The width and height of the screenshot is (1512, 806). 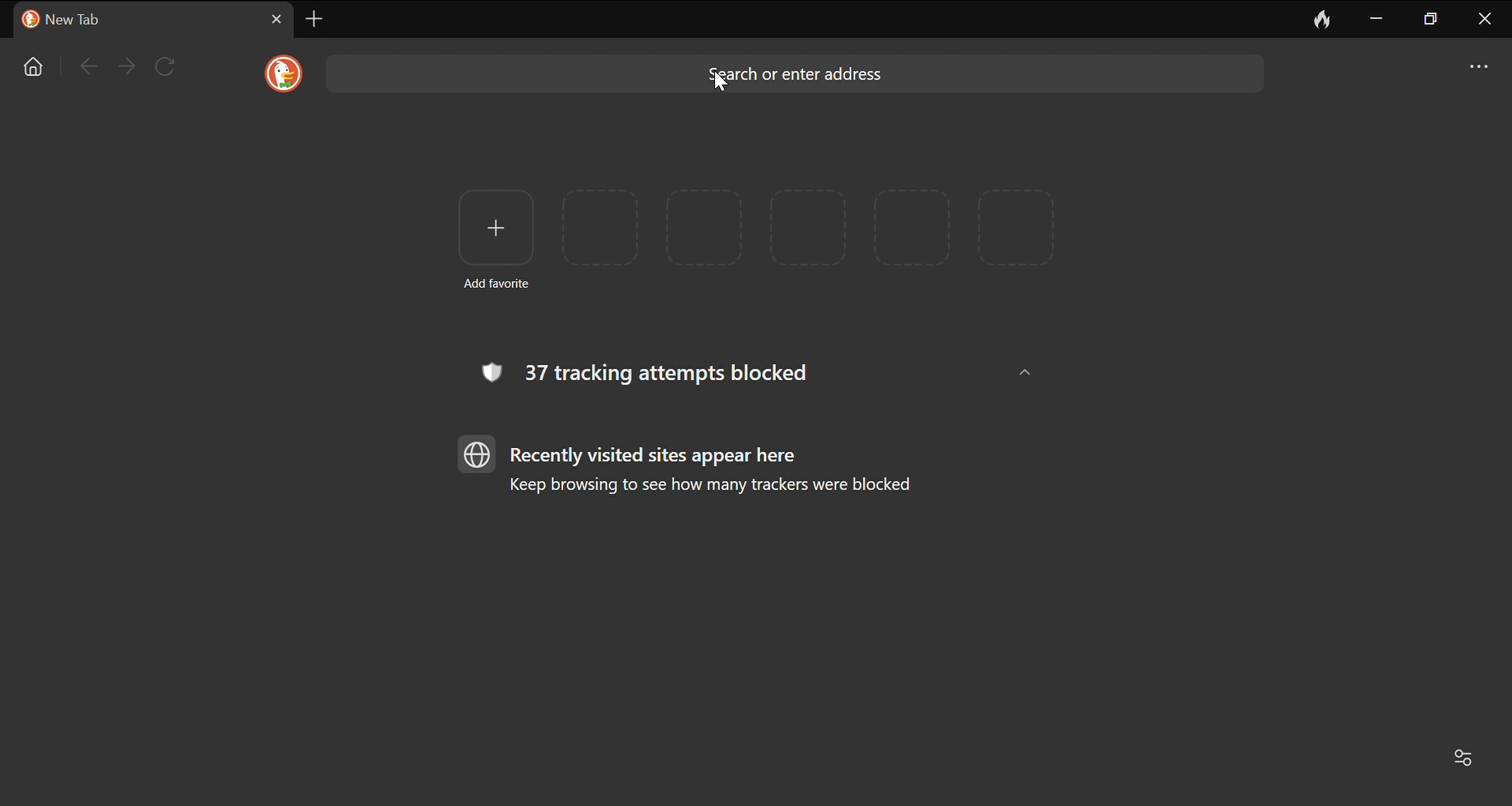 What do you see at coordinates (277, 19) in the screenshot?
I see `Close current tab` at bounding box center [277, 19].